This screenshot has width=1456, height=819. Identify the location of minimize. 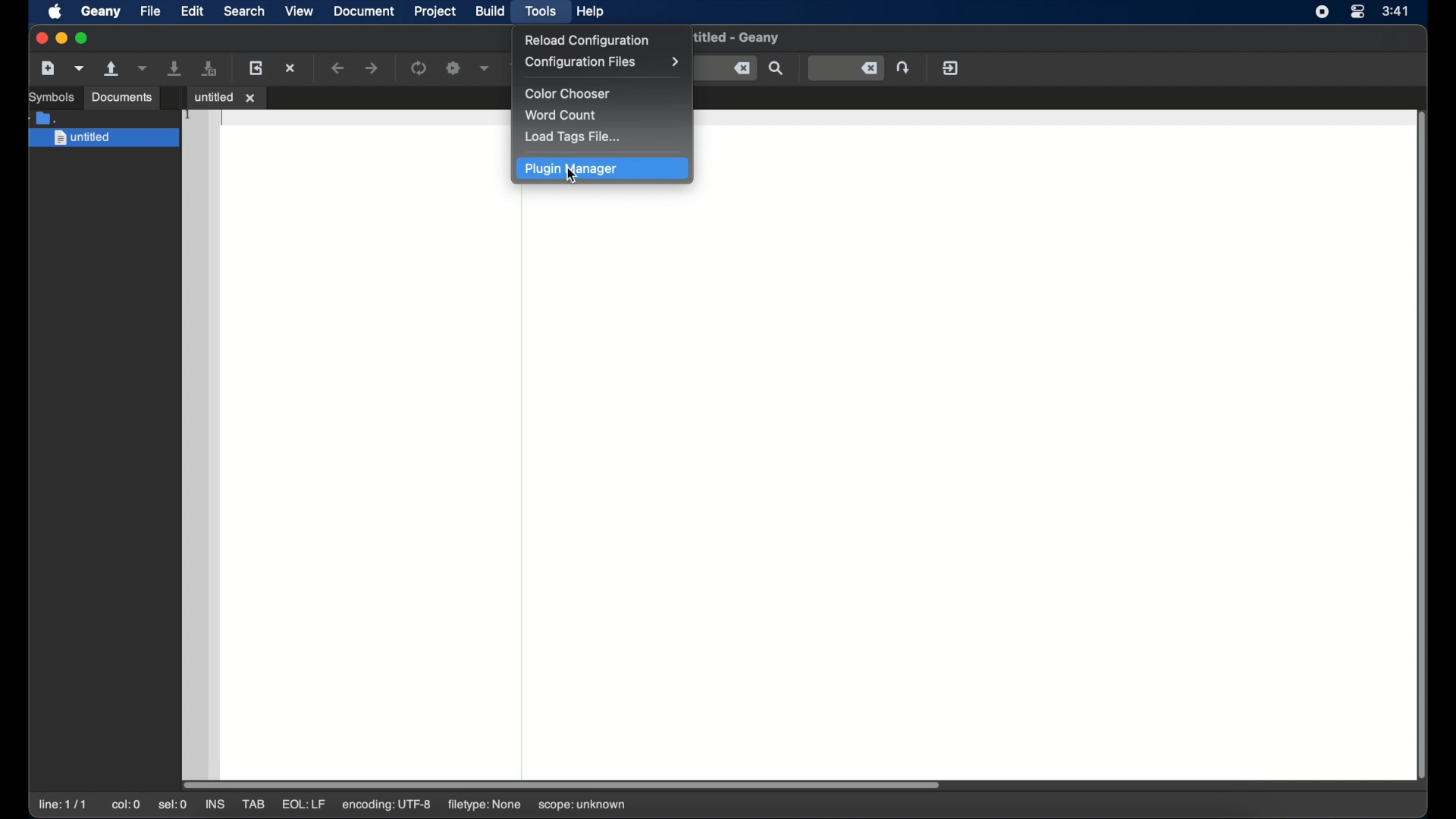
(61, 38).